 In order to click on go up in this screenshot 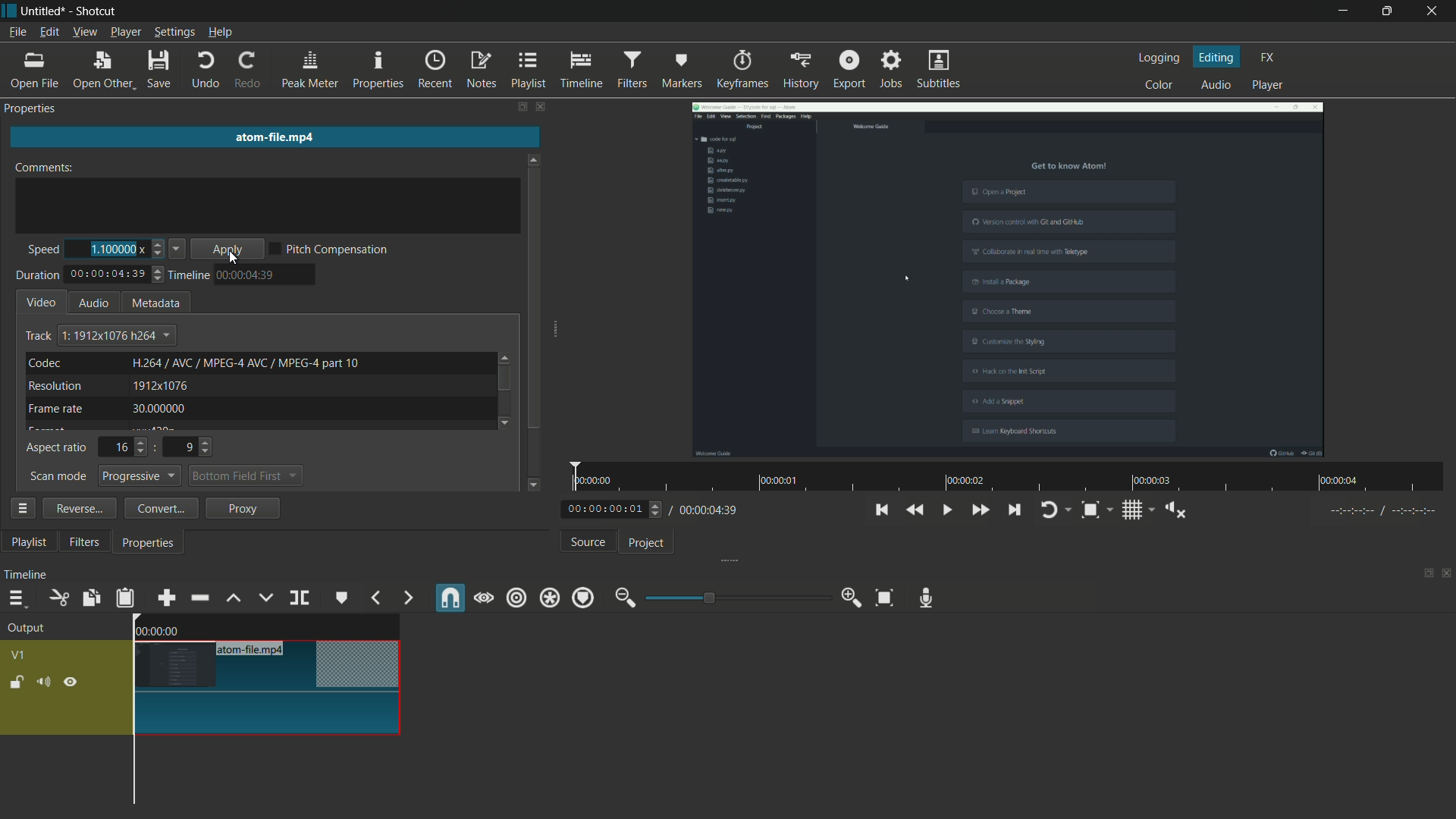, I will do `click(506, 355)`.